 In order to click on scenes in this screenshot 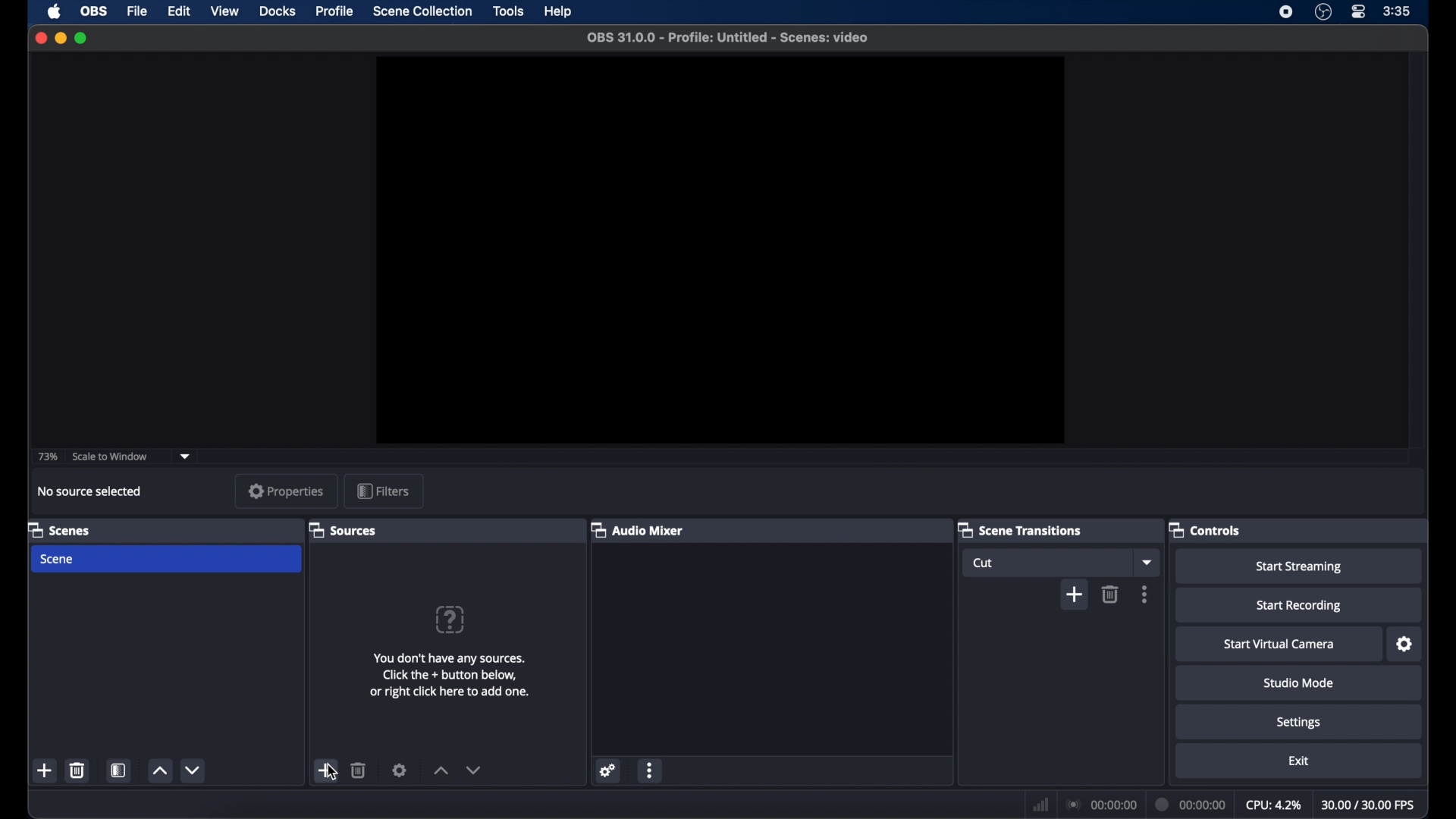, I will do `click(59, 529)`.